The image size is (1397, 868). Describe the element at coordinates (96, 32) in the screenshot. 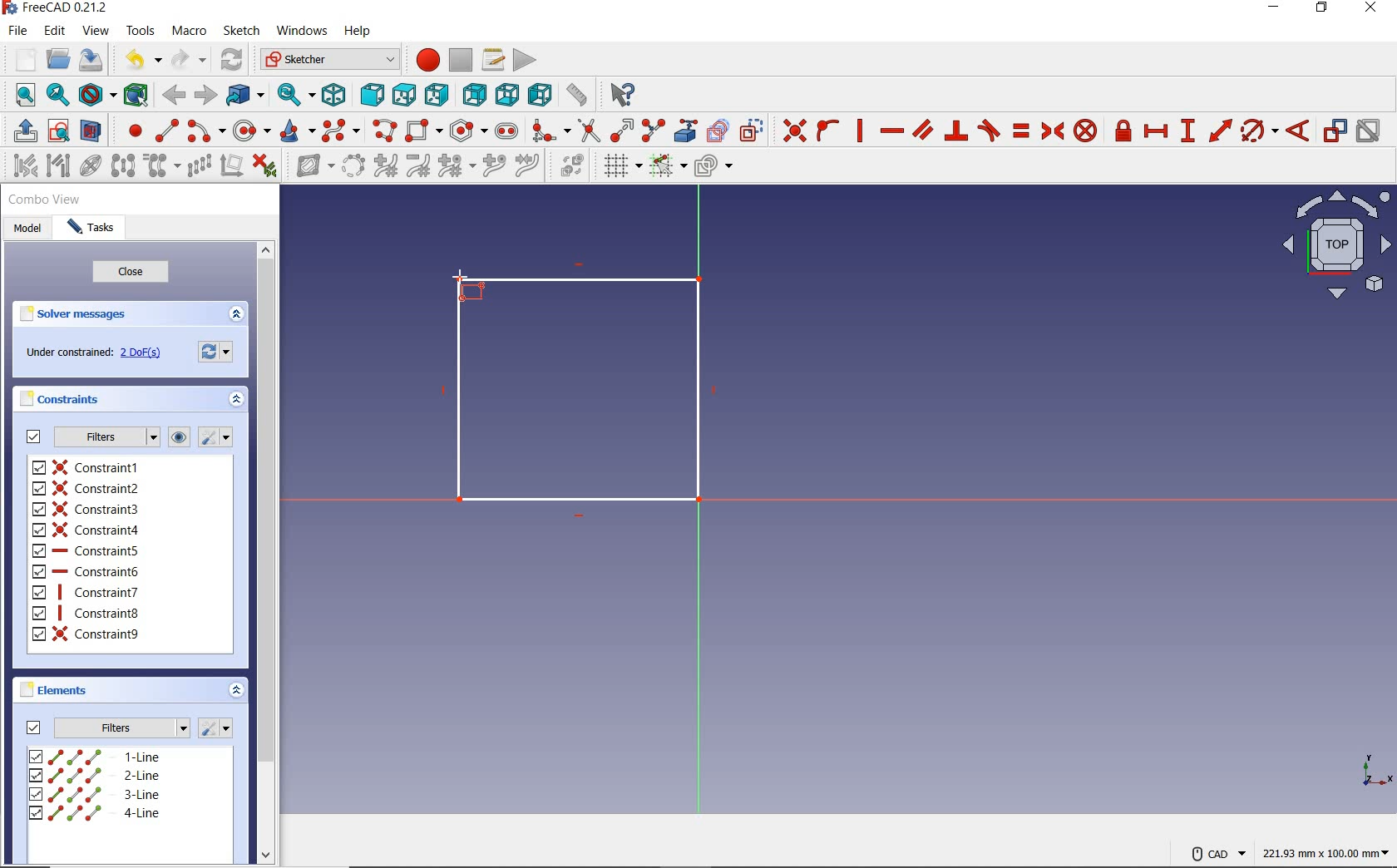

I see `view` at that location.